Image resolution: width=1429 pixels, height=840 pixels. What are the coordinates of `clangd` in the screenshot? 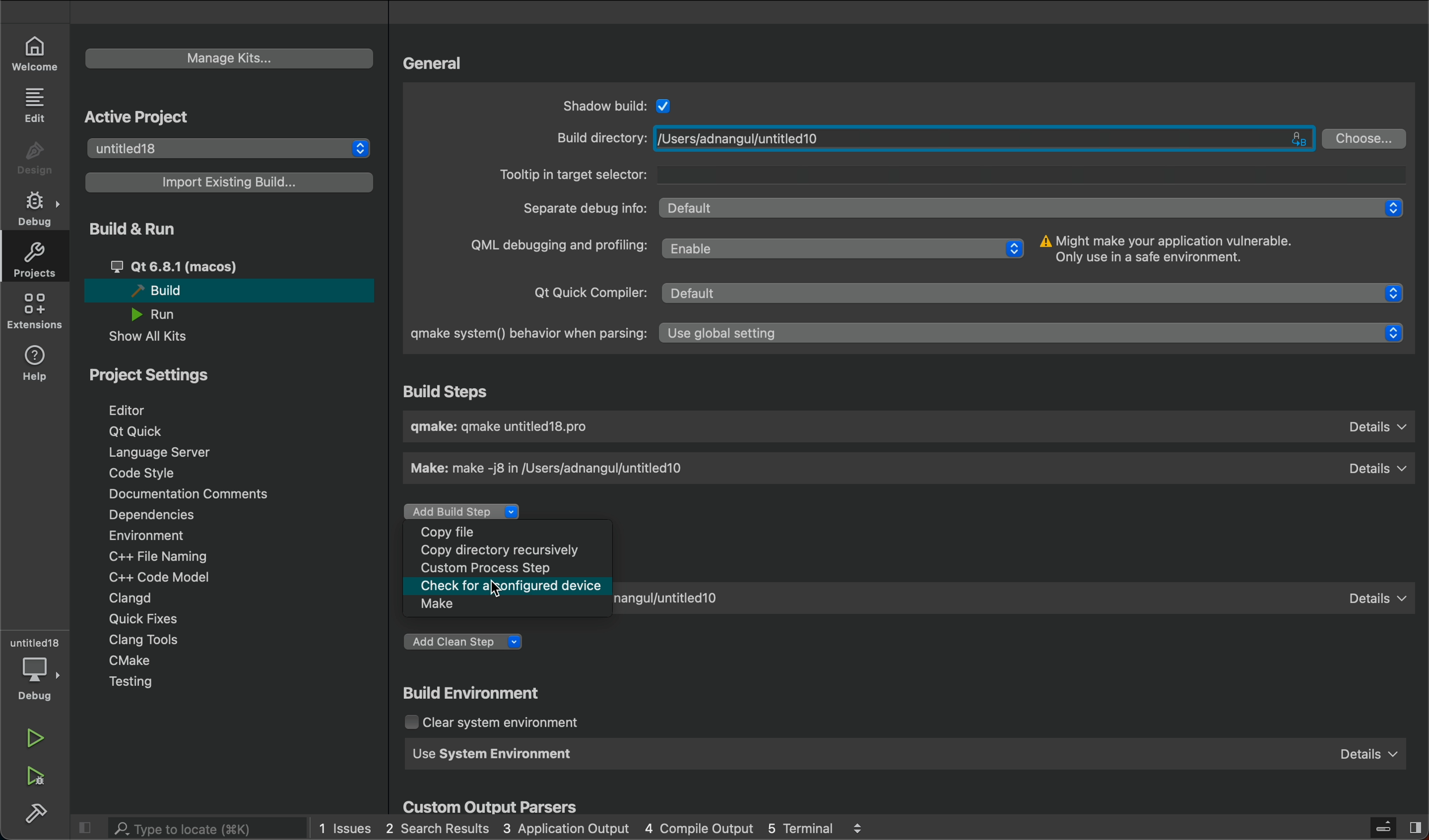 It's located at (145, 598).